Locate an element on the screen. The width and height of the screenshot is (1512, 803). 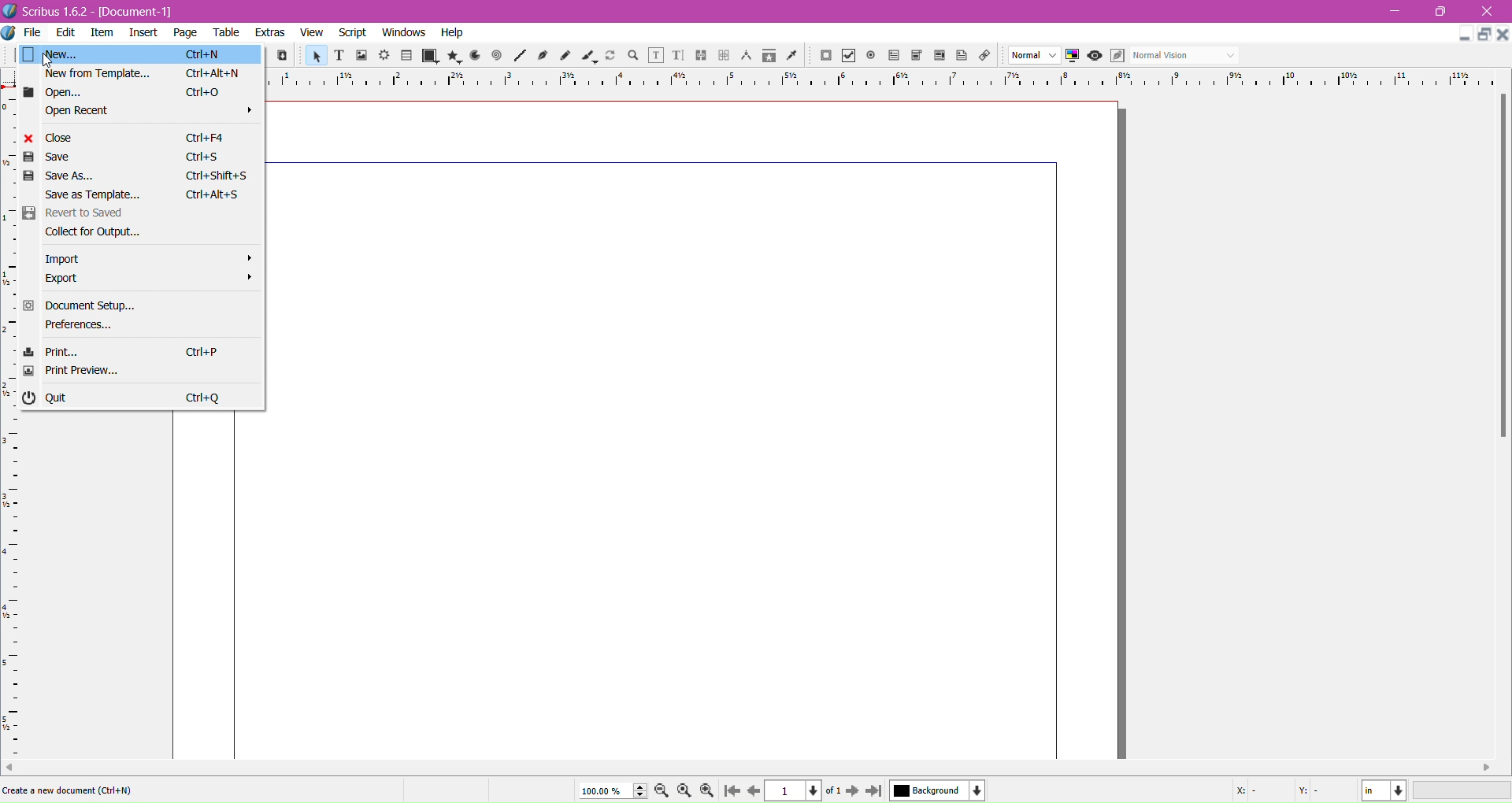
Print is located at coordinates (143, 350).